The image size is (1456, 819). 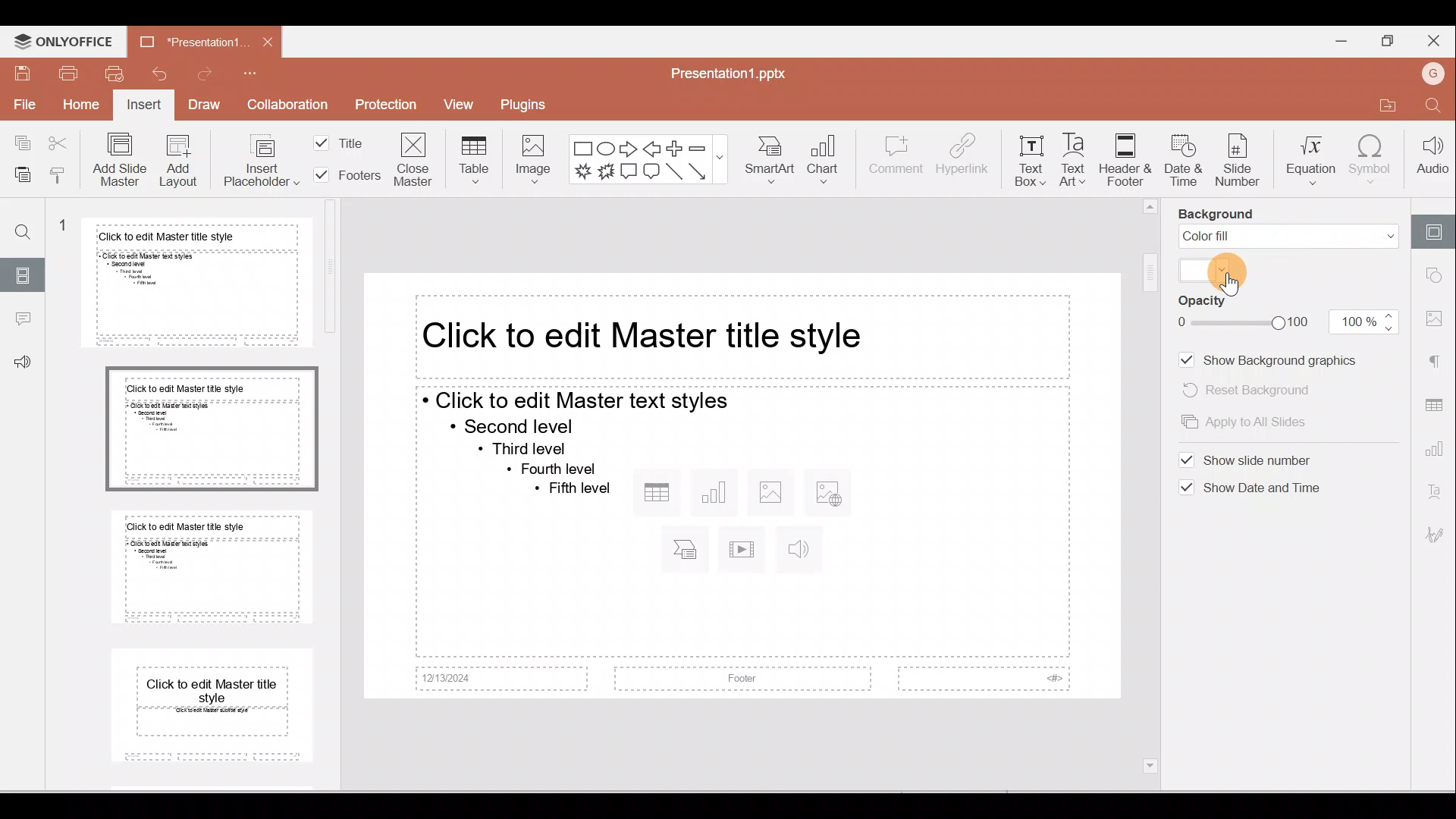 What do you see at coordinates (1238, 162) in the screenshot?
I see `Slide number` at bounding box center [1238, 162].